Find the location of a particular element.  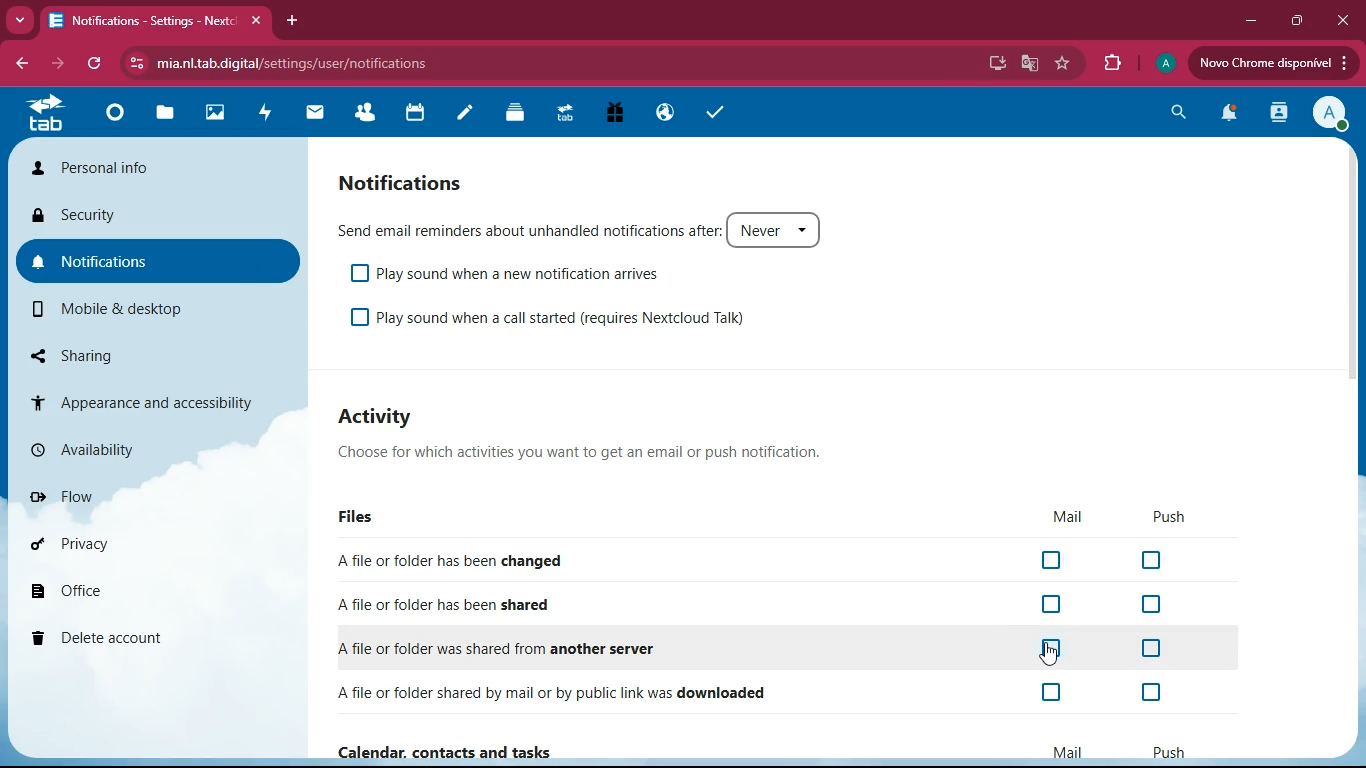

notifications is located at coordinates (400, 183).